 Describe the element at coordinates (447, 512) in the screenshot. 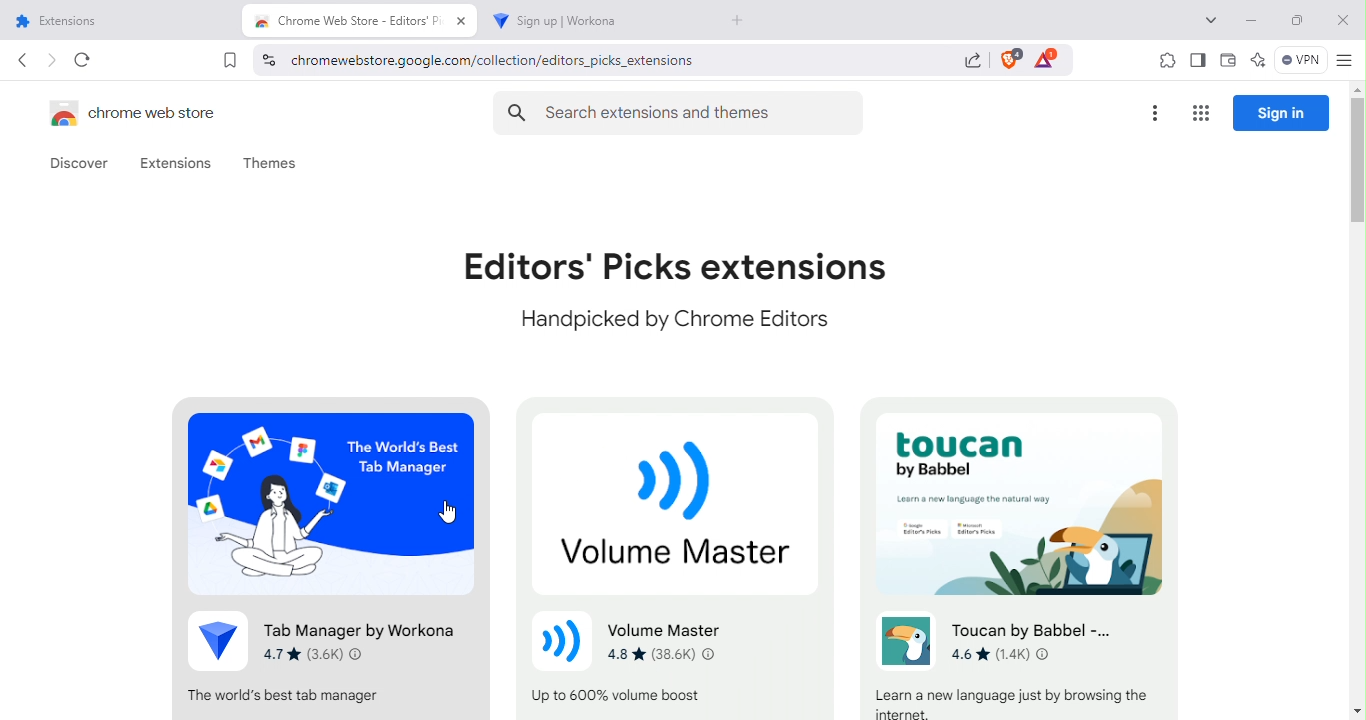

I see `cursor` at that location.